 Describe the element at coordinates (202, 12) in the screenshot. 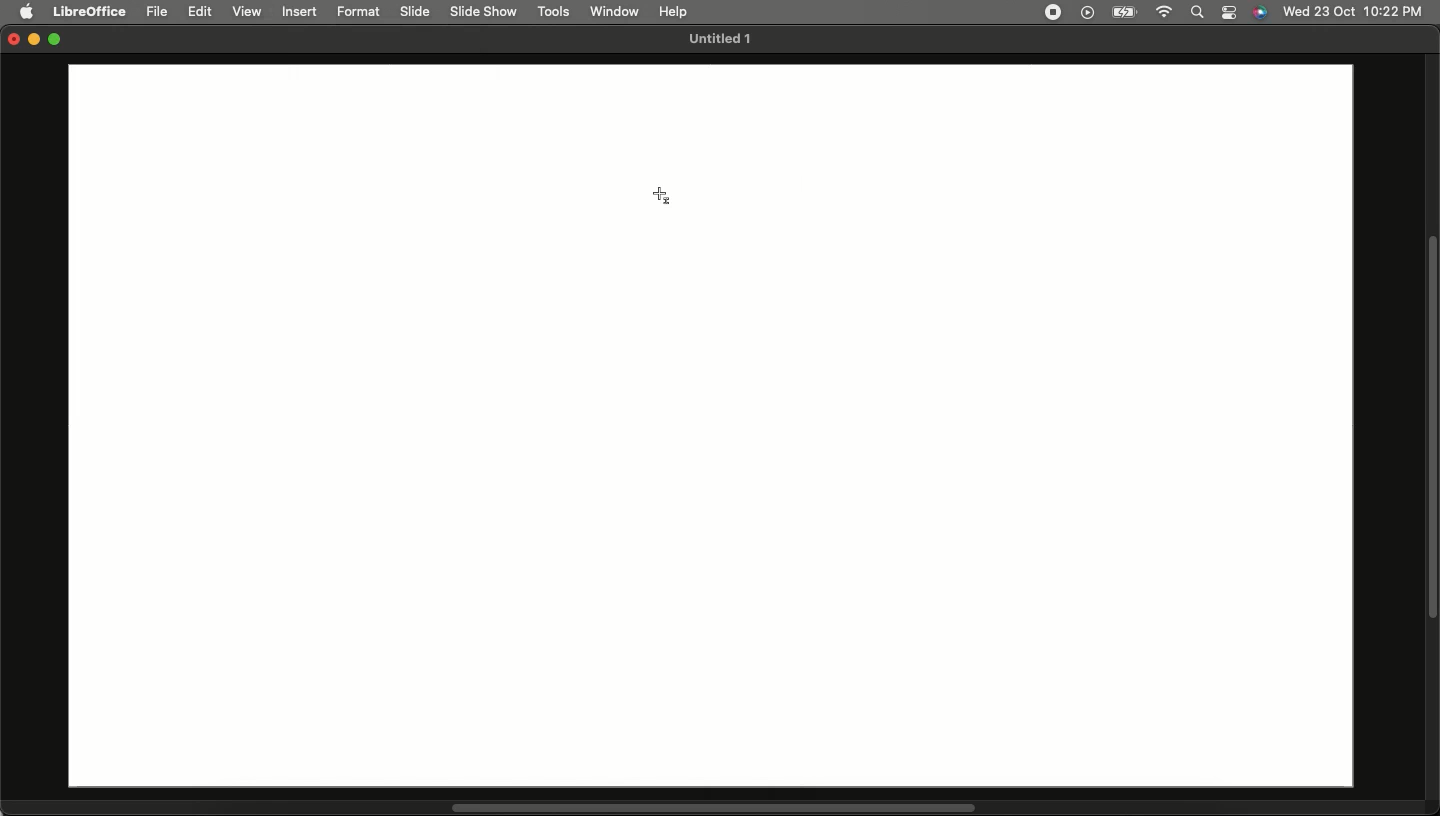

I see `Edit` at that location.